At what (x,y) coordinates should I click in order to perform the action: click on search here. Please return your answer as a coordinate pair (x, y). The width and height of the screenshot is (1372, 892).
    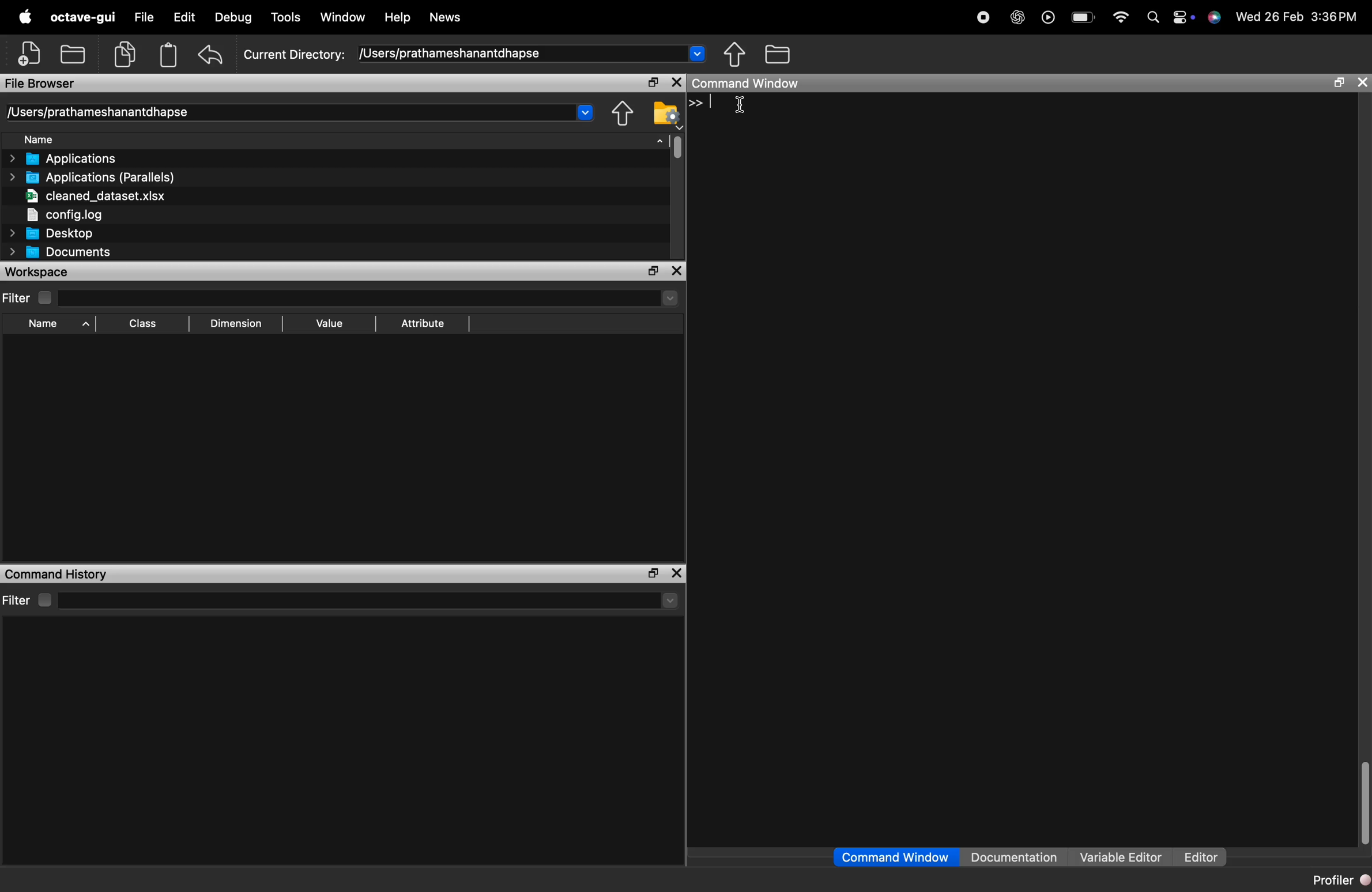
    Looking at the image, I should click on (372, 297).